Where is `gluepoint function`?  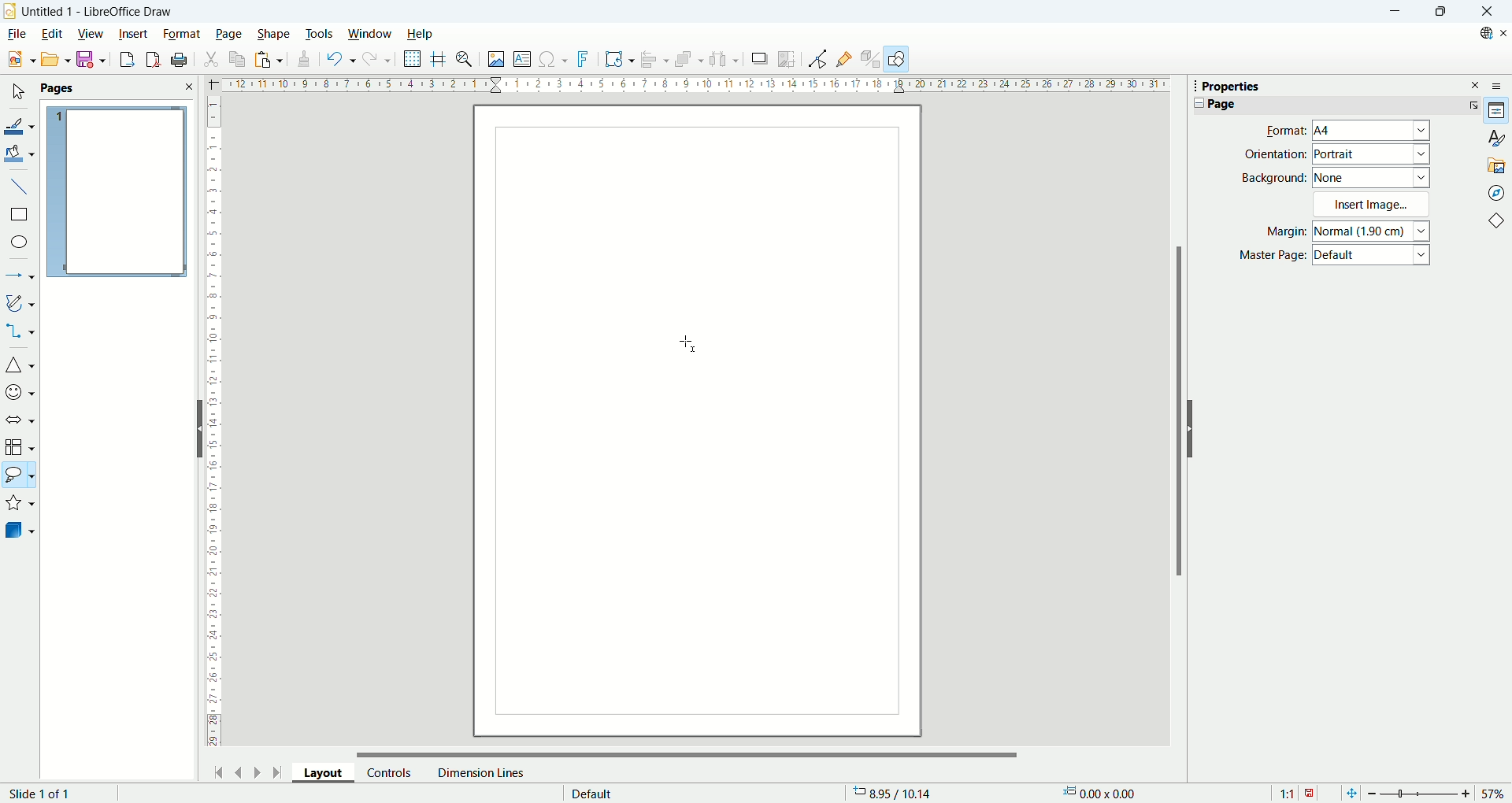 gluepoint function is located at coordinates (845, 58).